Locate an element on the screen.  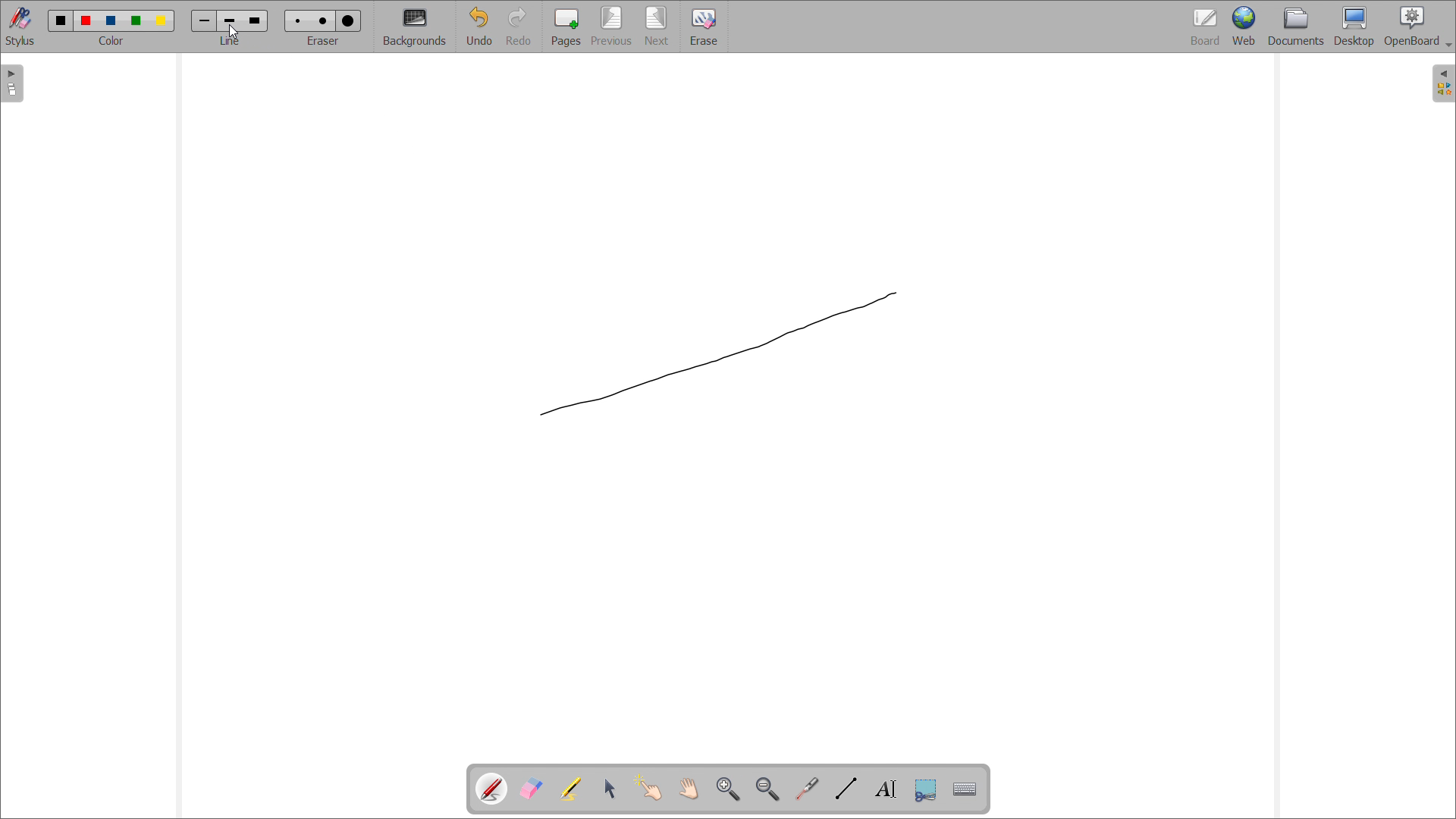
zoom in is located at coordinates (729, 789).